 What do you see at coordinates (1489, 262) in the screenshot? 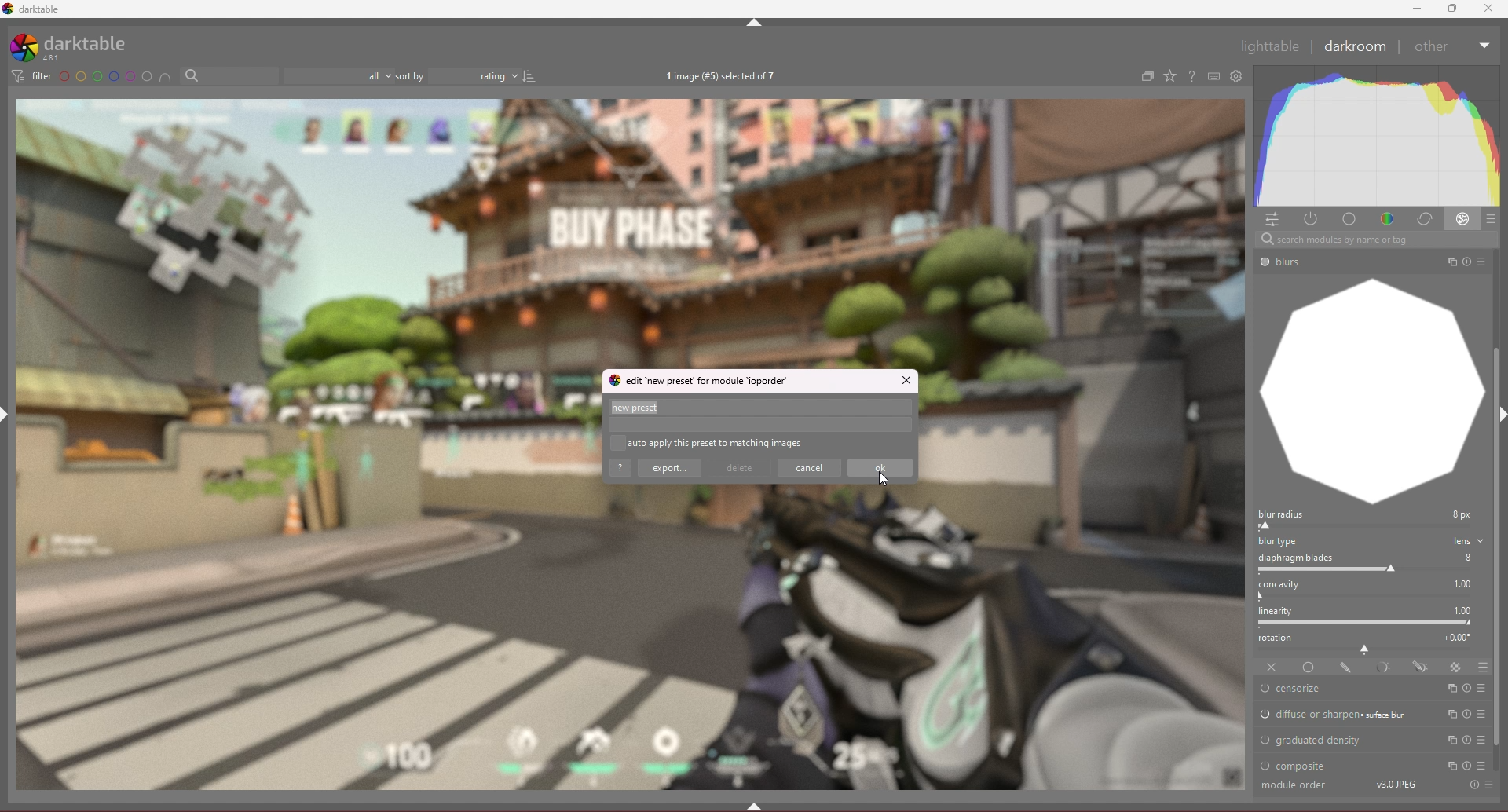
I see `` at bounding box center [1489, 262].